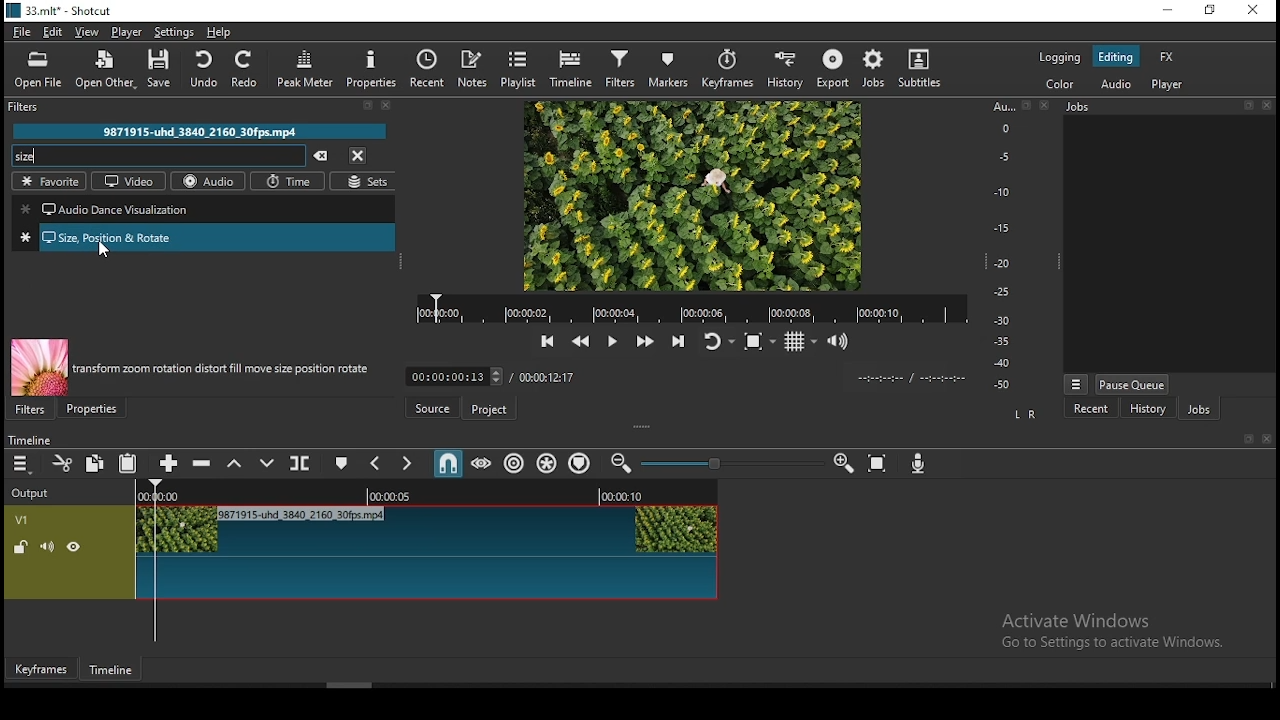 The image size is (1280, 720). What do you see at coordinates (30, 410) in the screenshot?
I see `filters` at bounding box center [30, 410].